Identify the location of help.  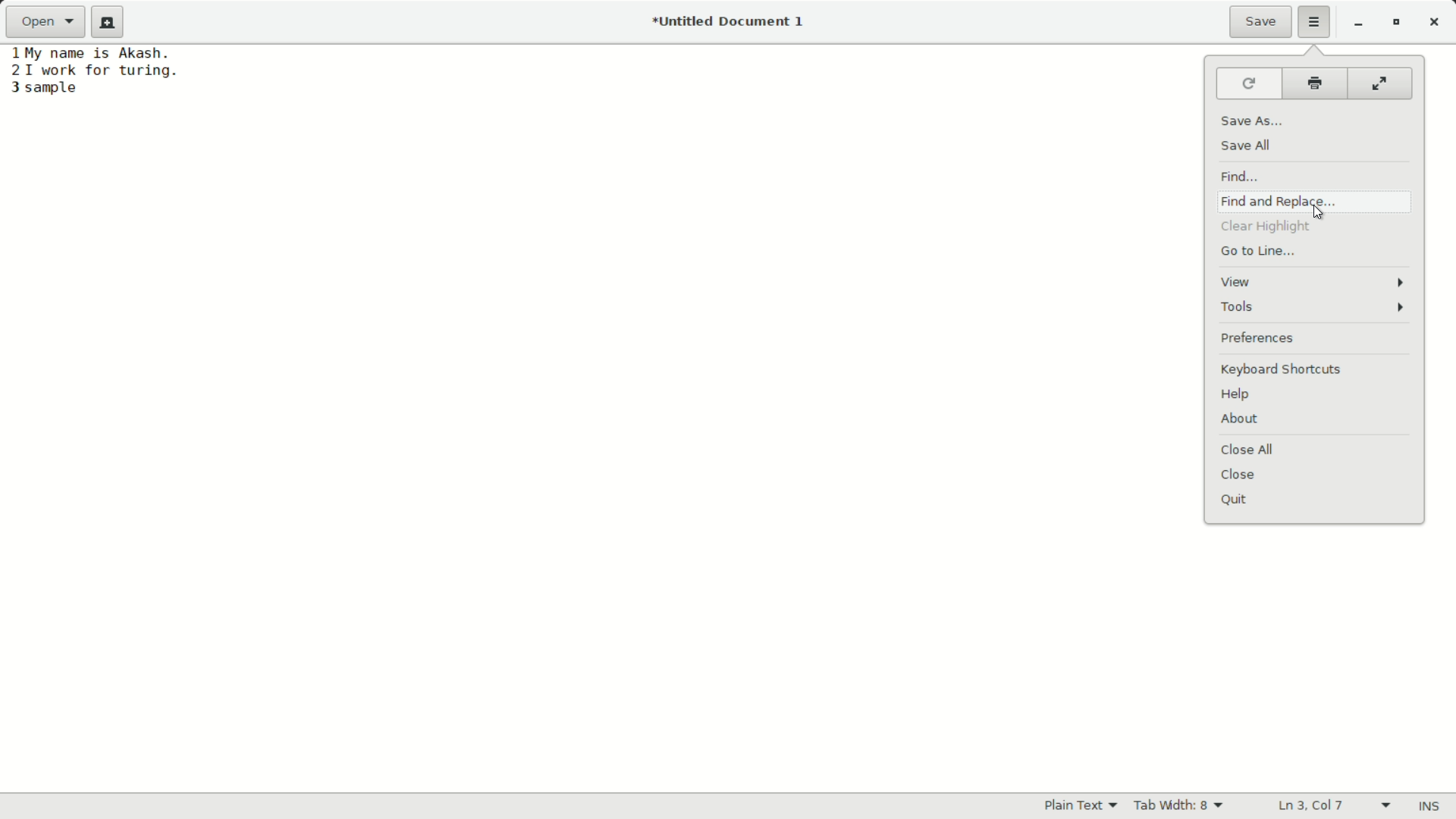
(1239, 395).